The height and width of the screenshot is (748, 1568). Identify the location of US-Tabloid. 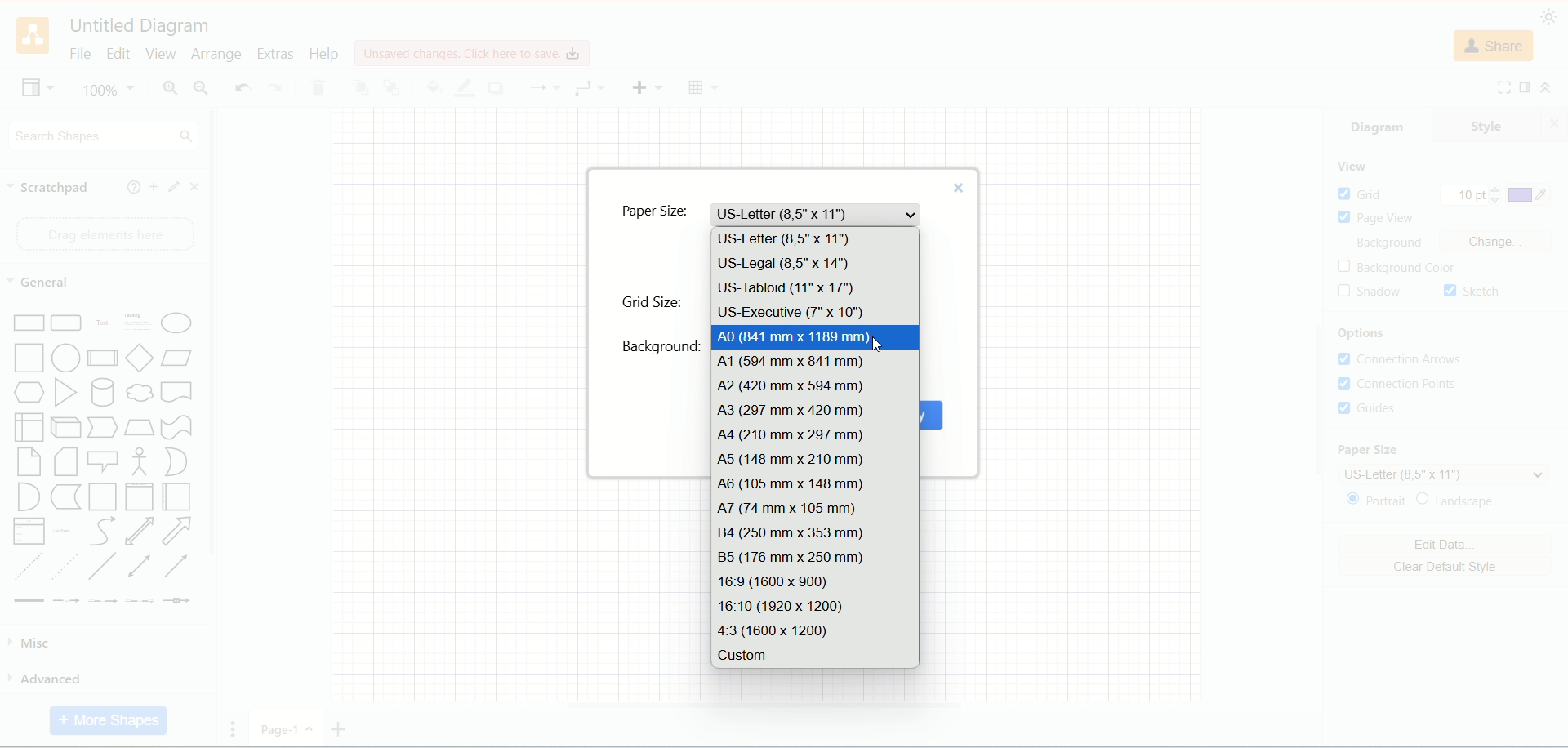
(814, 290).